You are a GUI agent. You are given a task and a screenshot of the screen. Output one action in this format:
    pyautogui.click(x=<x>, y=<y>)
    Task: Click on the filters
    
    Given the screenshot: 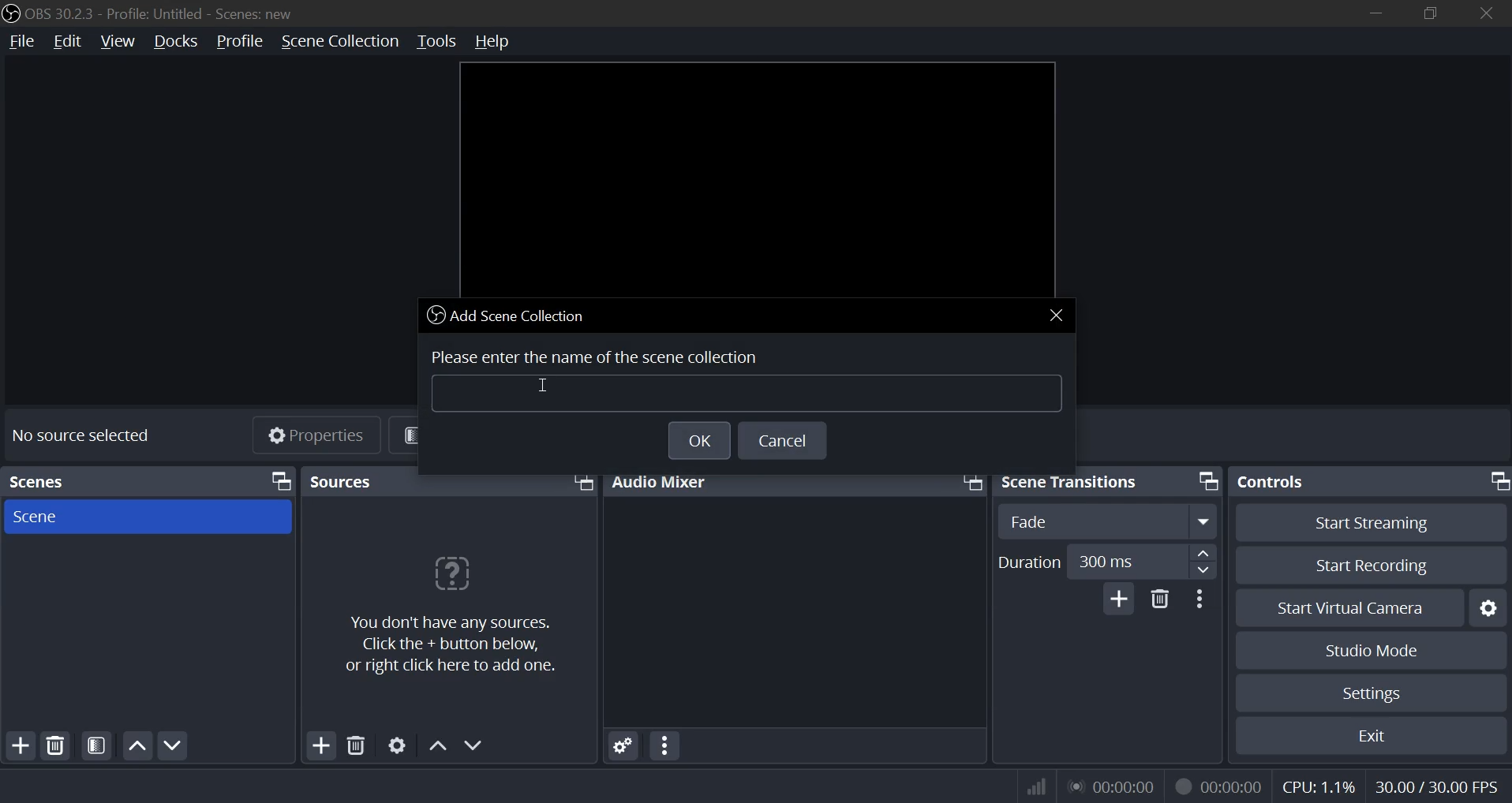 What is the action you would take?
    pyautogui.click(x=448, y=434)
    